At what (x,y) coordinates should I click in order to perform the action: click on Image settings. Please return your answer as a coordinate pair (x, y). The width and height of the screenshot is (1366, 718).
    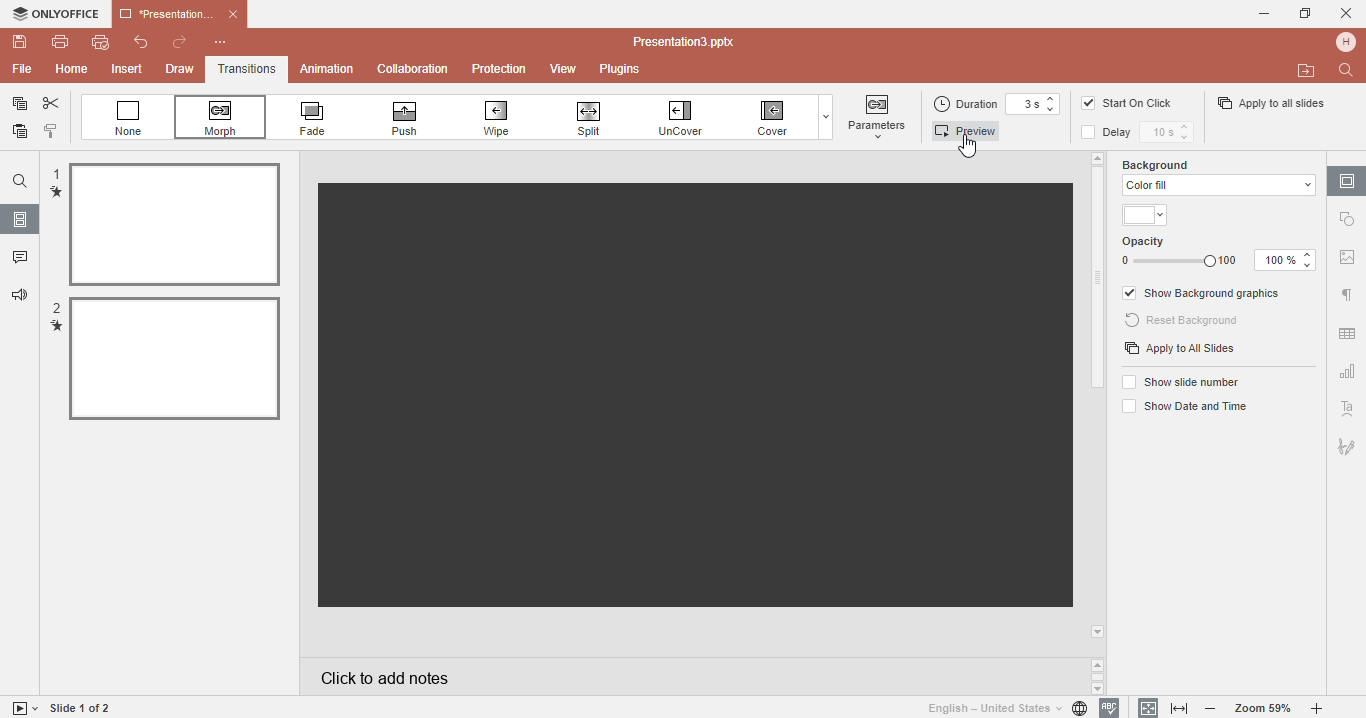
    Looking at the image, I should click on (1347, 261).